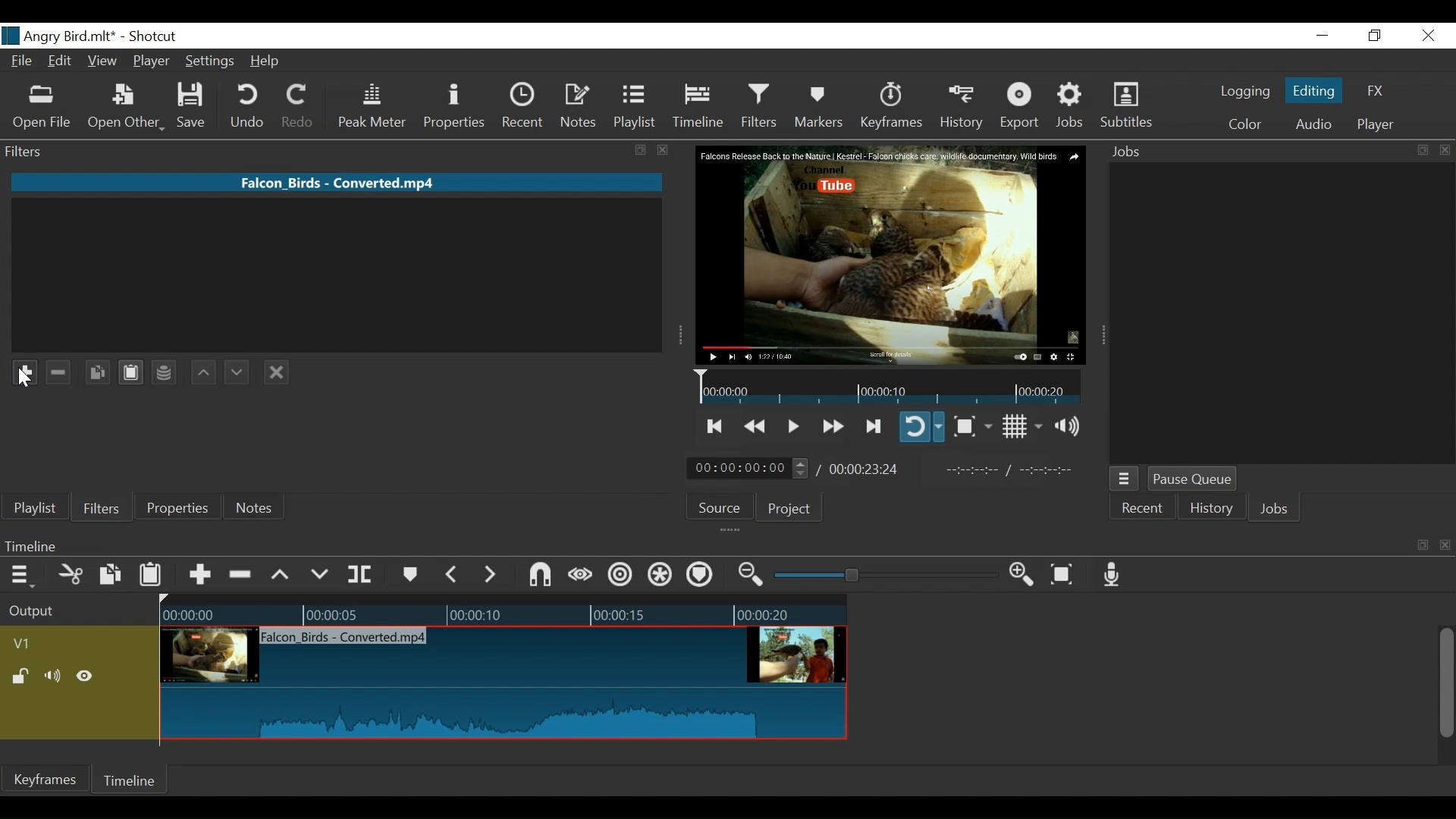 The image size is (1456, 819). What do you see at coordinates (193, 472) in the screenshot?
I see `Update` at bounding box center [193, 472].